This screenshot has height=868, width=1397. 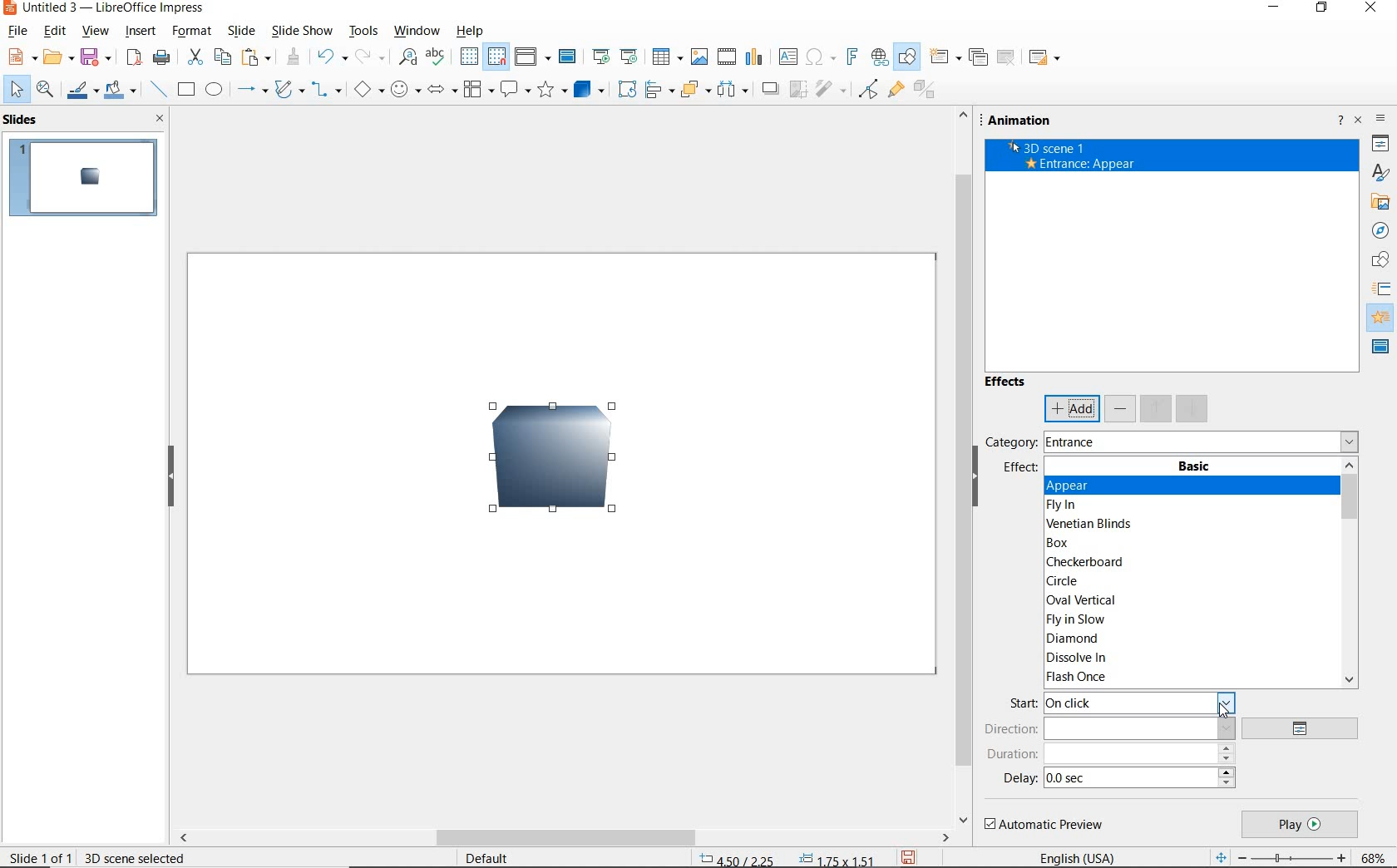 What do you see at coordinates (160, 119) in the screenshot?
I see `close` at bounding box center [160, 119].